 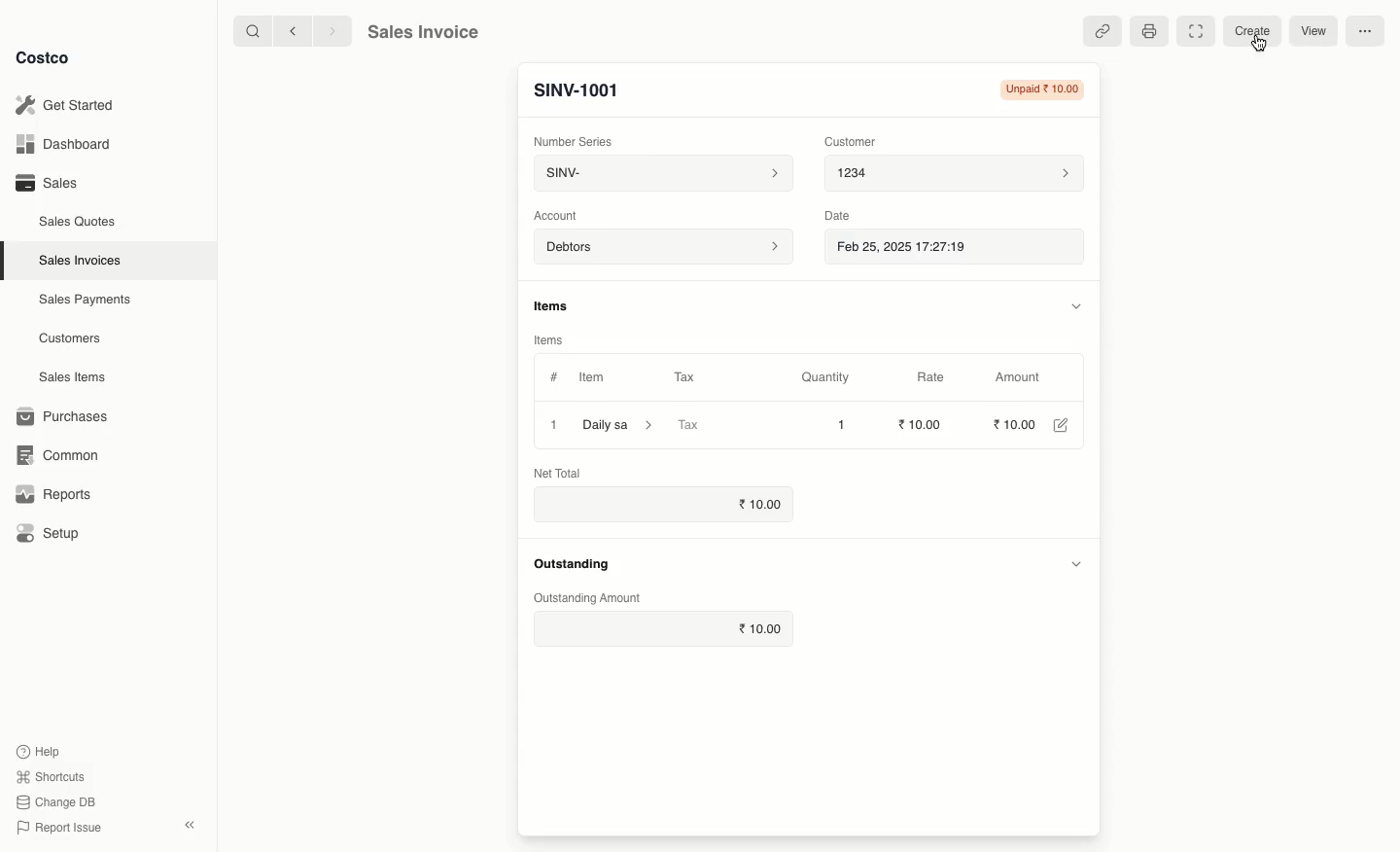 I want to click on Sales Quotes, so click(x=75, y=223).